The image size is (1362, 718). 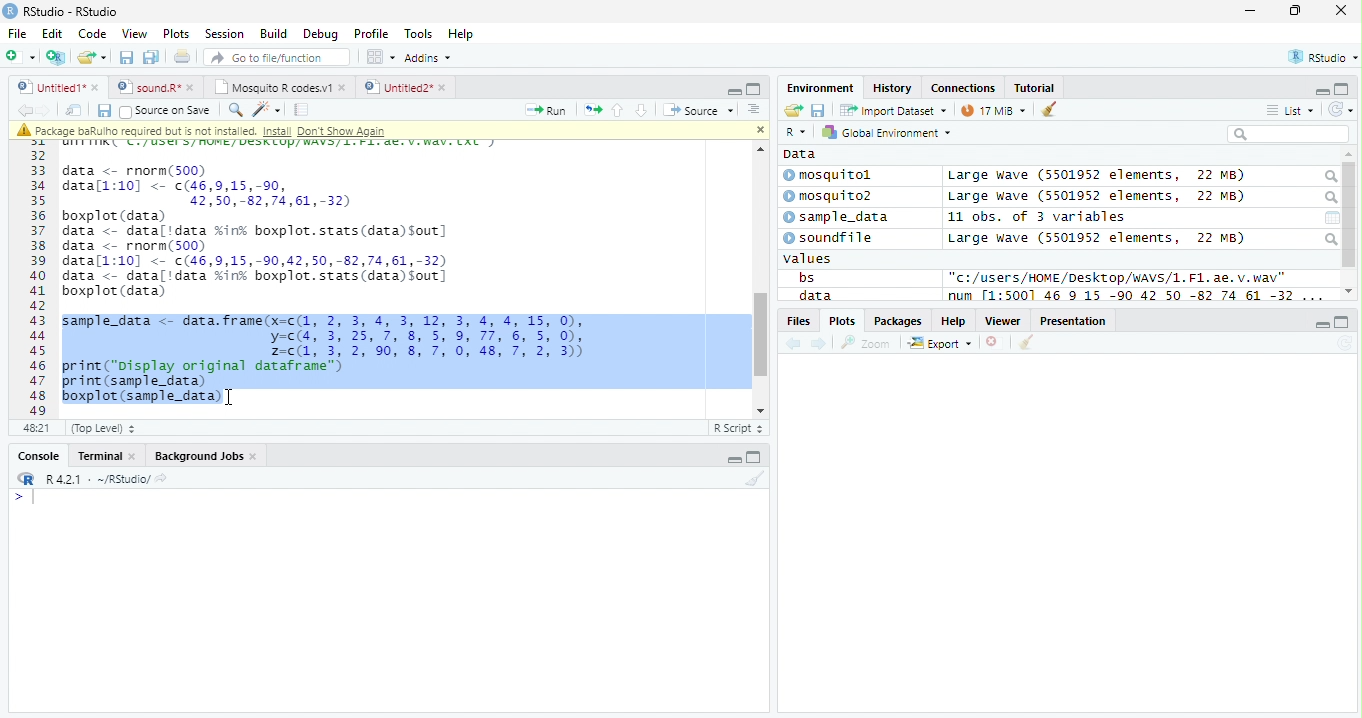 What do you see at coordinates (758, 149) in the screenshot?
I see `scroll up` at bounding box center [758, 149].